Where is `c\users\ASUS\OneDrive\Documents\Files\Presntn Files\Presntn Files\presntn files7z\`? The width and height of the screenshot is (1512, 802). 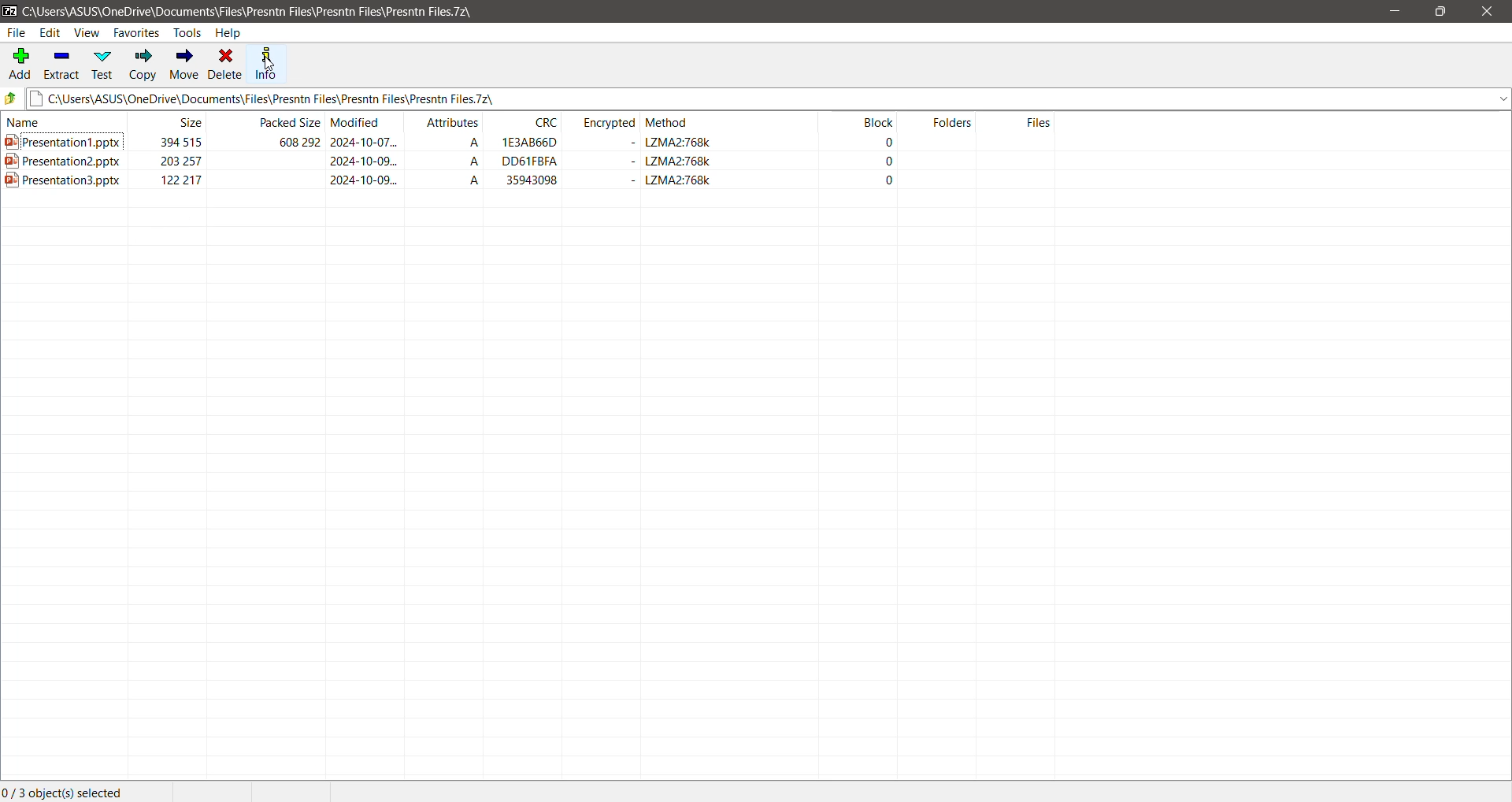
c\users\ASUS\OneDrive\Documents\Files\Presntn Files\Presntn Files\presntn files7z\ is located at coordinates (271, 11).